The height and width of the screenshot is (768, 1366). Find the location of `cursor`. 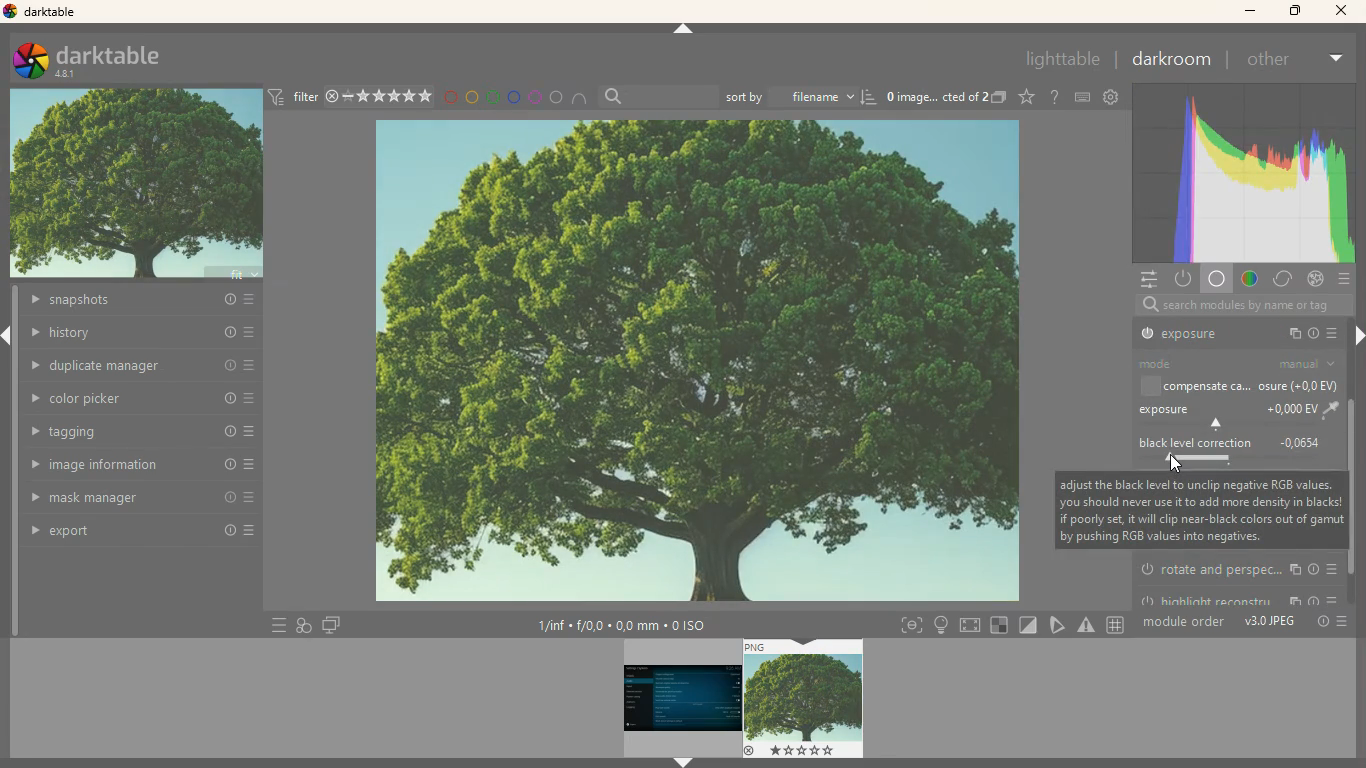

cursor is located at coordinates (1174, 464).